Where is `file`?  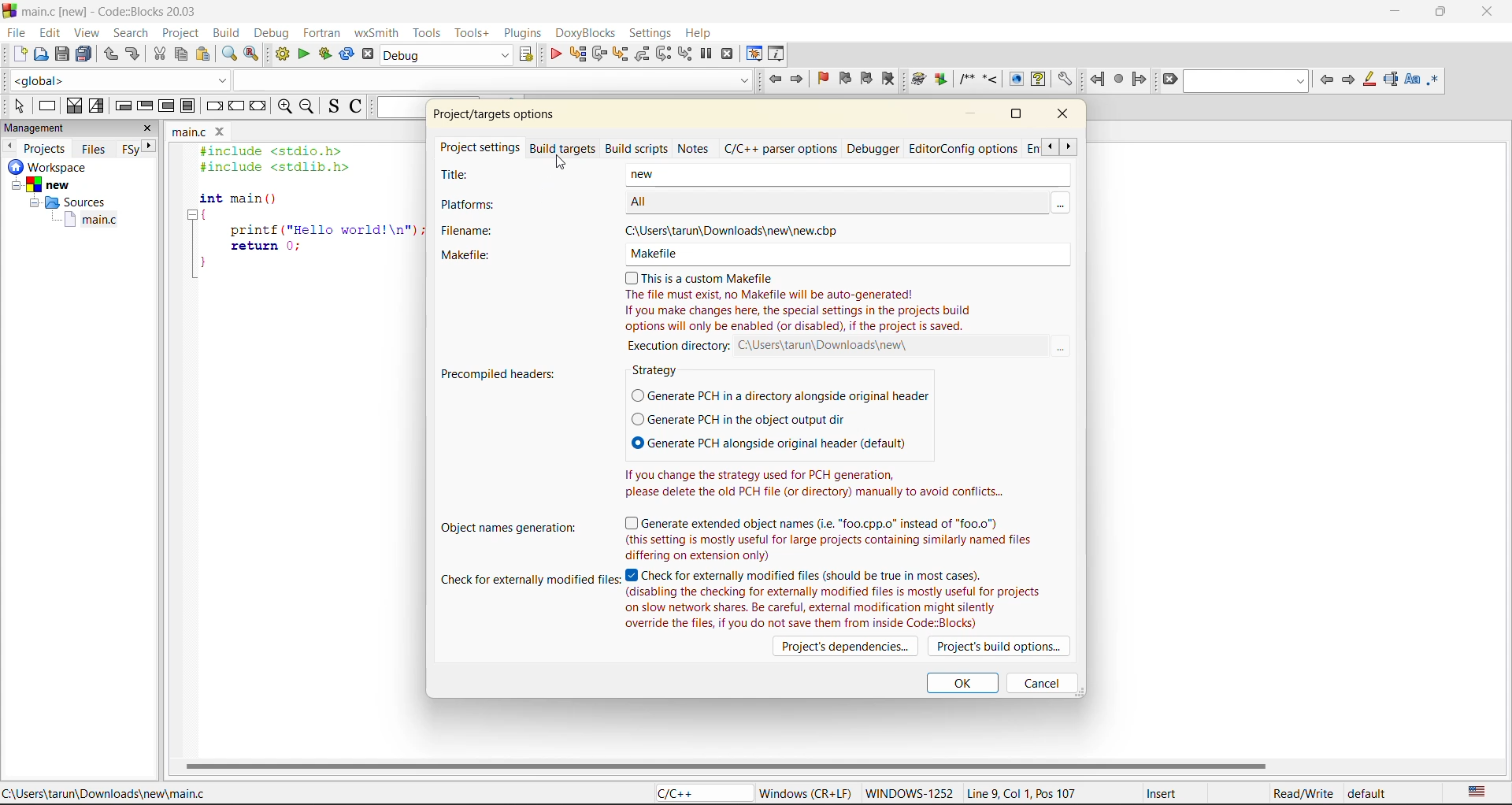 file is located at coordinates (14, 34).